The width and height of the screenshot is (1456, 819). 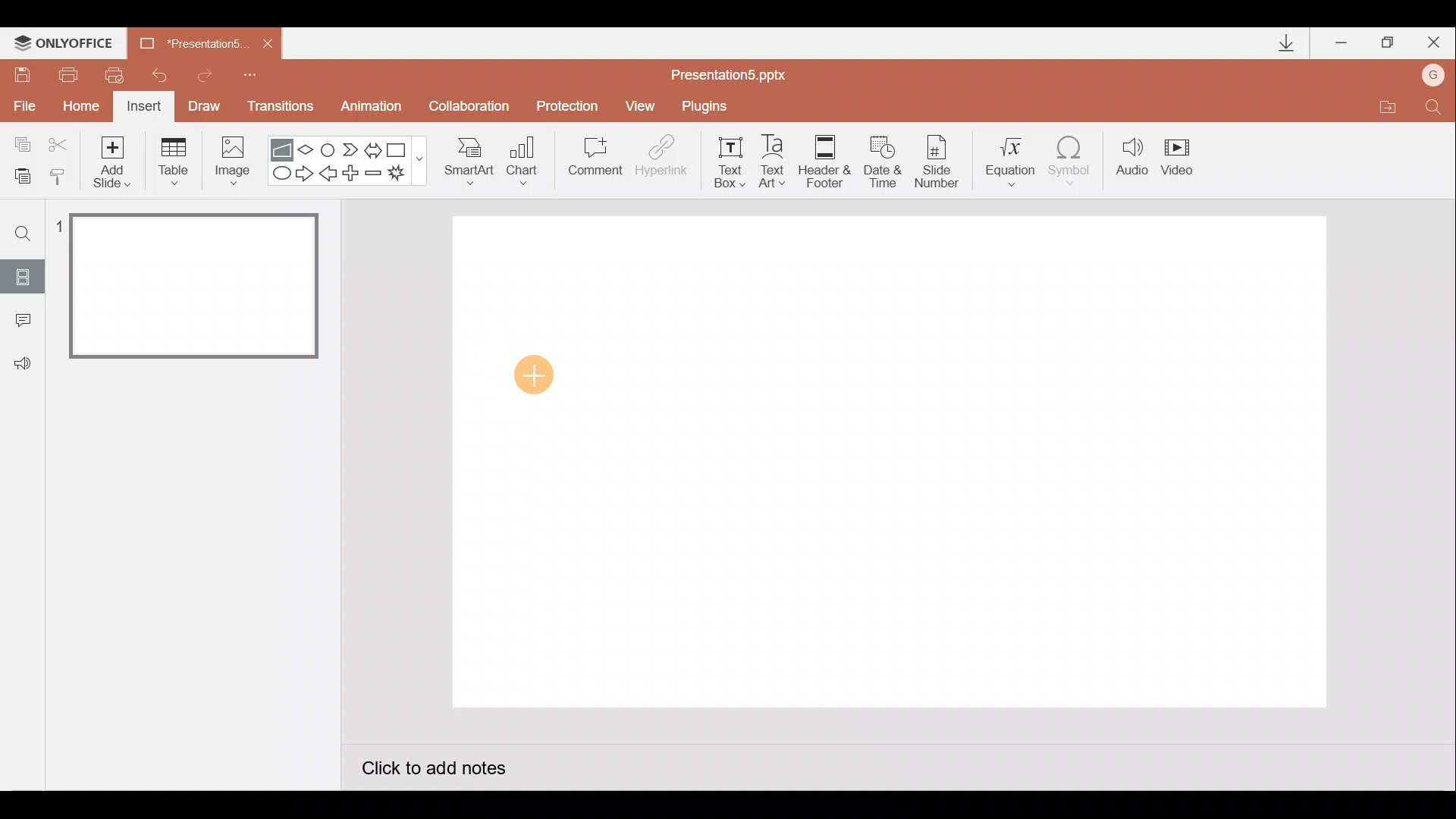 What do you see at coordinates (22, 276) in the screenshot?
I see `Slides` at bounding box center [22, 276].